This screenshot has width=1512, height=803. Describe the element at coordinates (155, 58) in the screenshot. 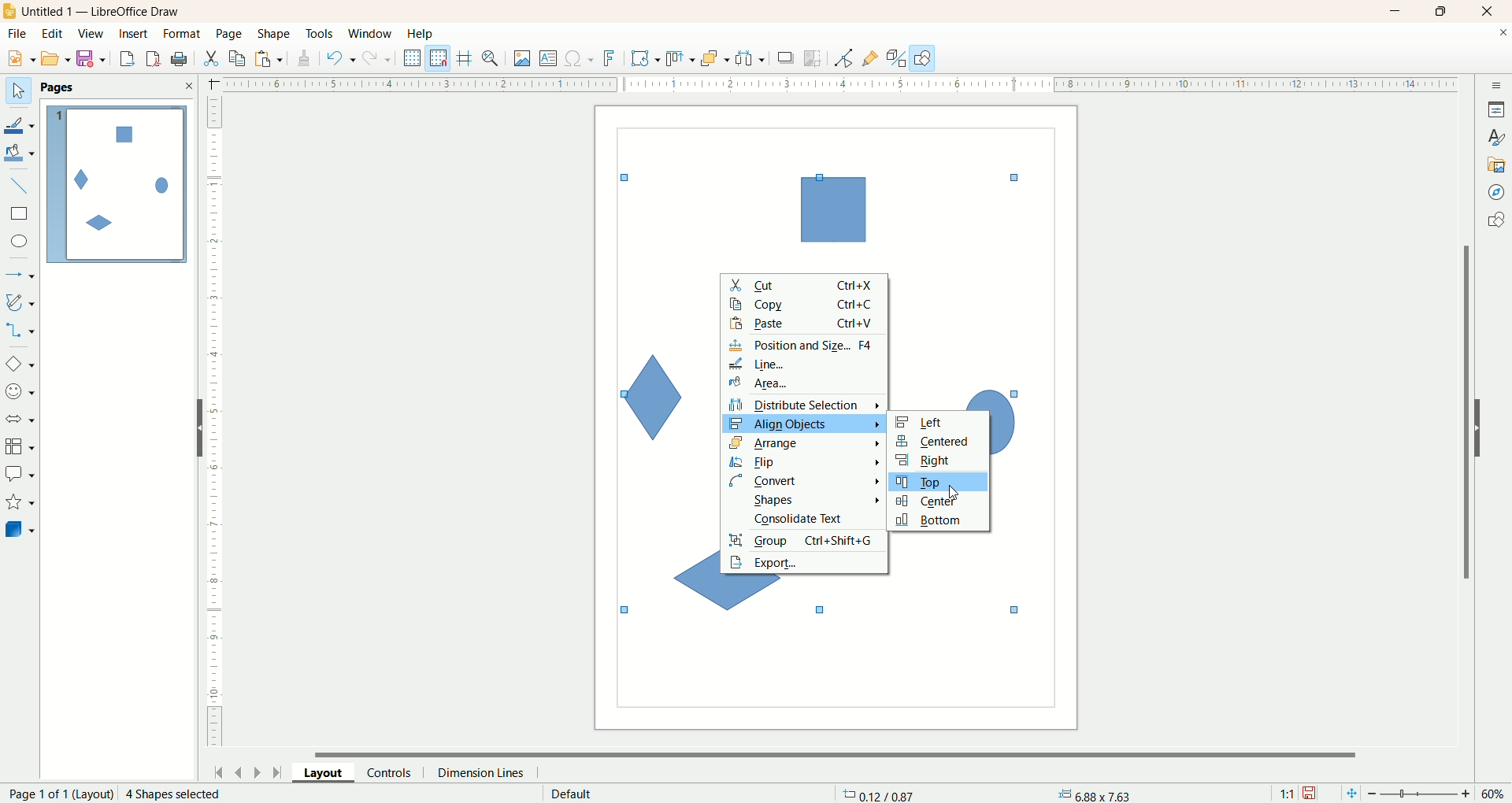

I see `print` at that location.